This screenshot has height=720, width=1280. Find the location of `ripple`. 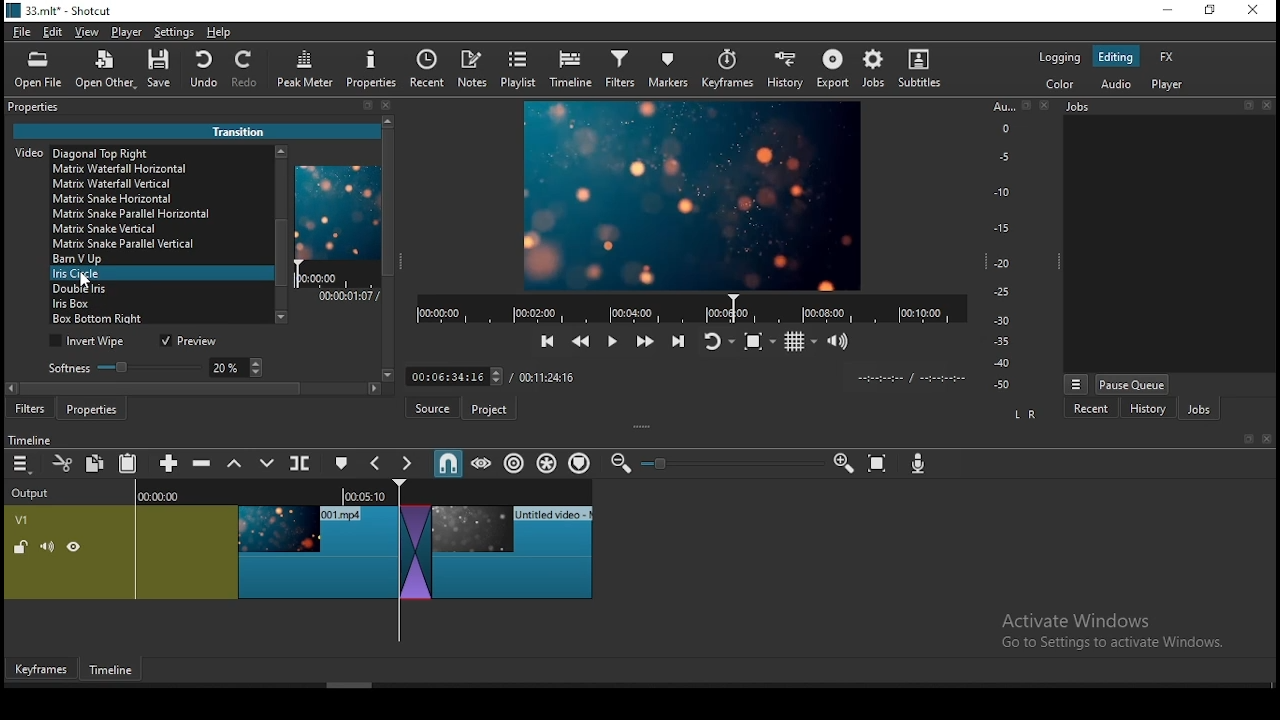

ripple is located at coordinates (514, 464).